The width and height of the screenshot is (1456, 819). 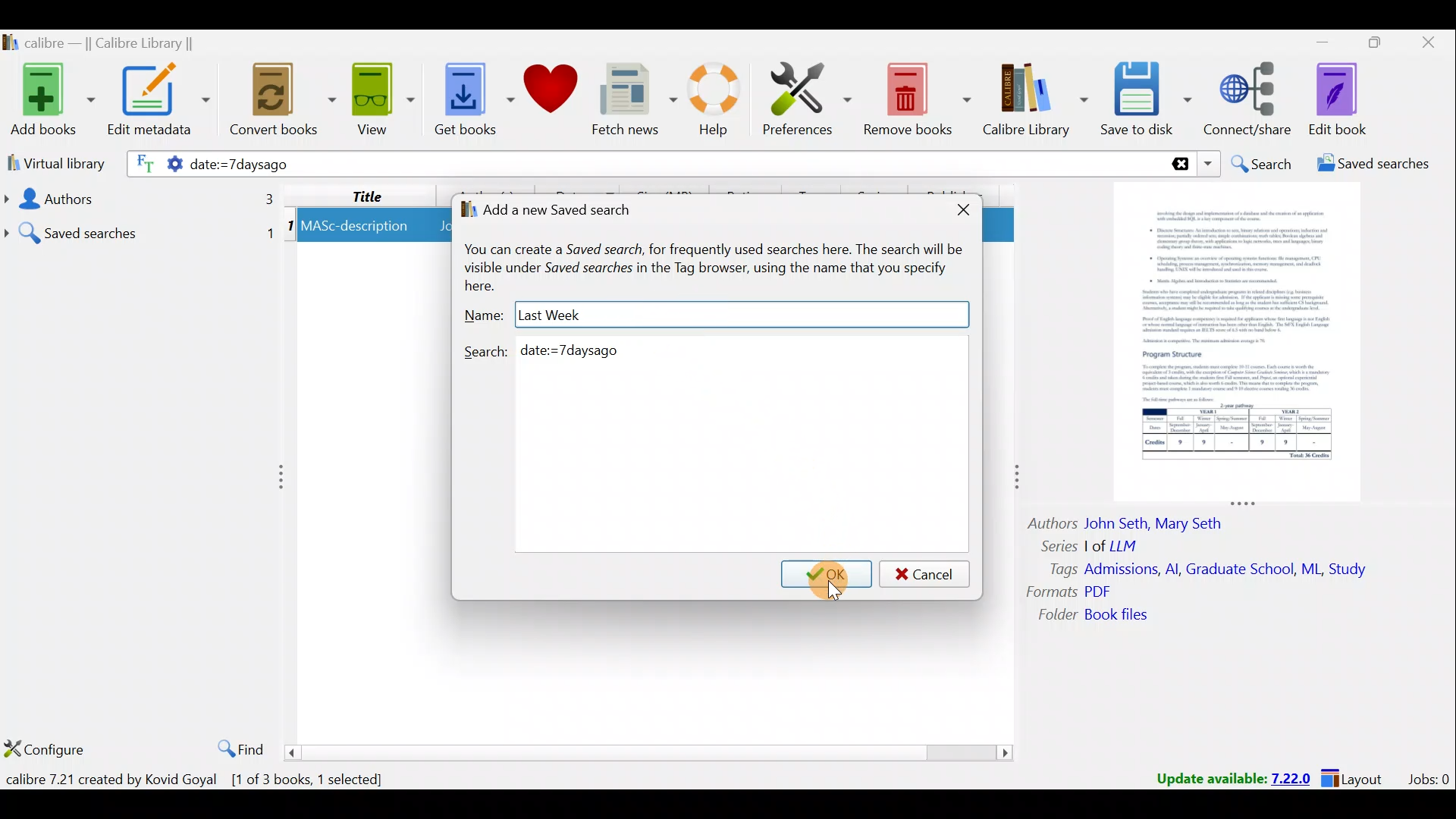 What do you see at coordinates (140, 227) in the screenshot?
I see `Saved searches` at bounding box center [140, 227].